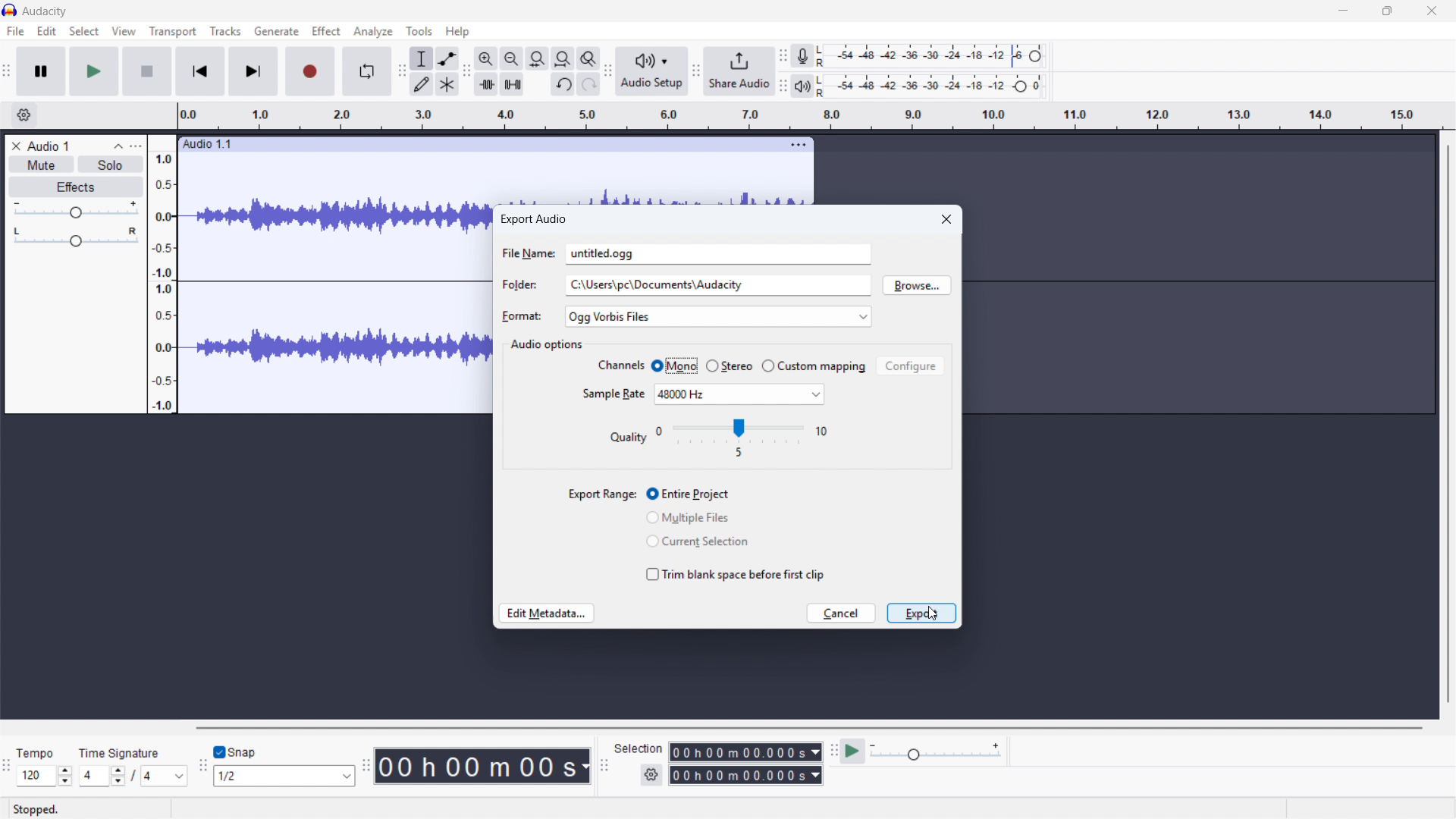 The image size is (1456, 819). I want to click on Audio channel selected as mono , so click(673, 366).